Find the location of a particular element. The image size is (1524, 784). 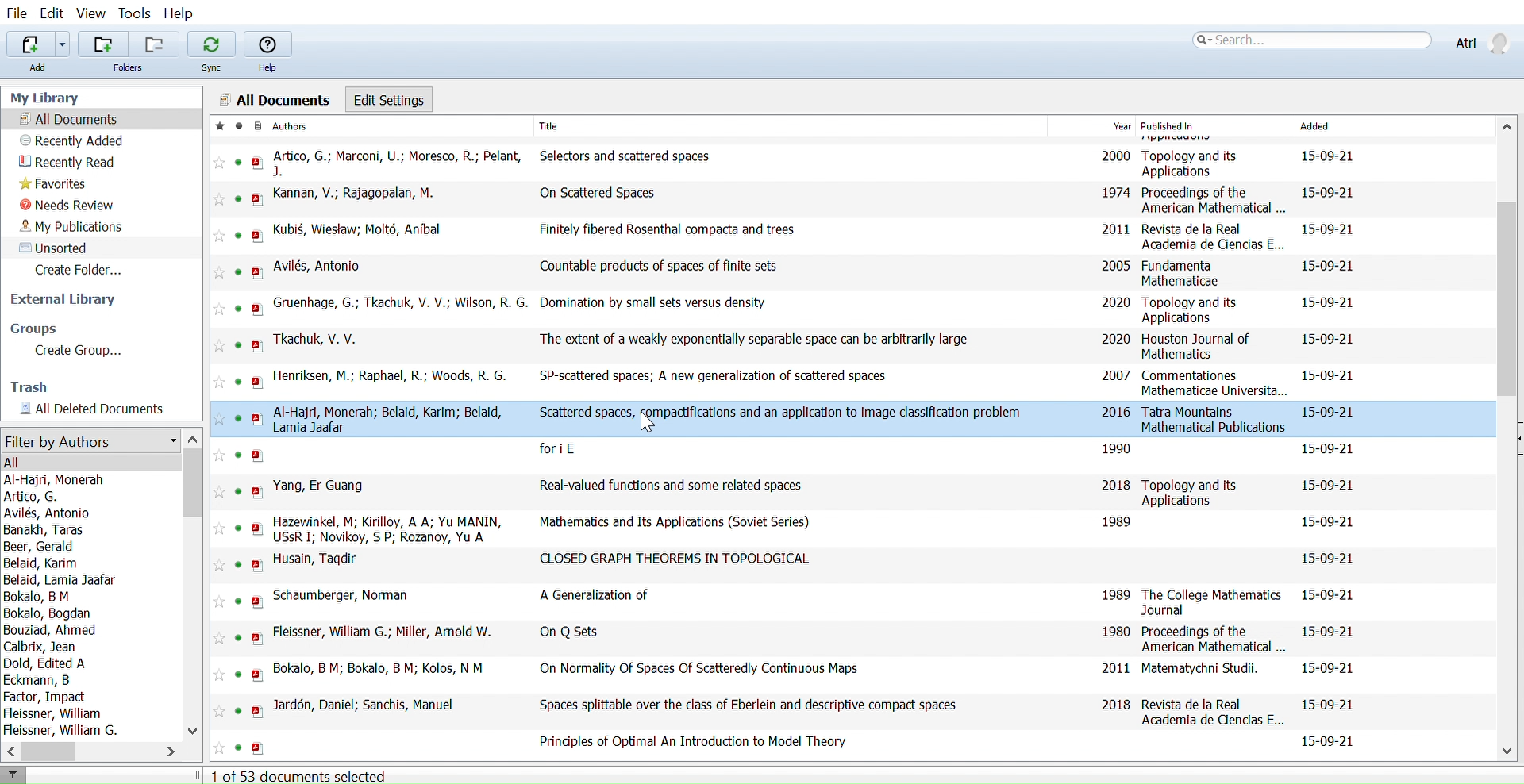

Move up in all files is located at coordinates (1507, 127).